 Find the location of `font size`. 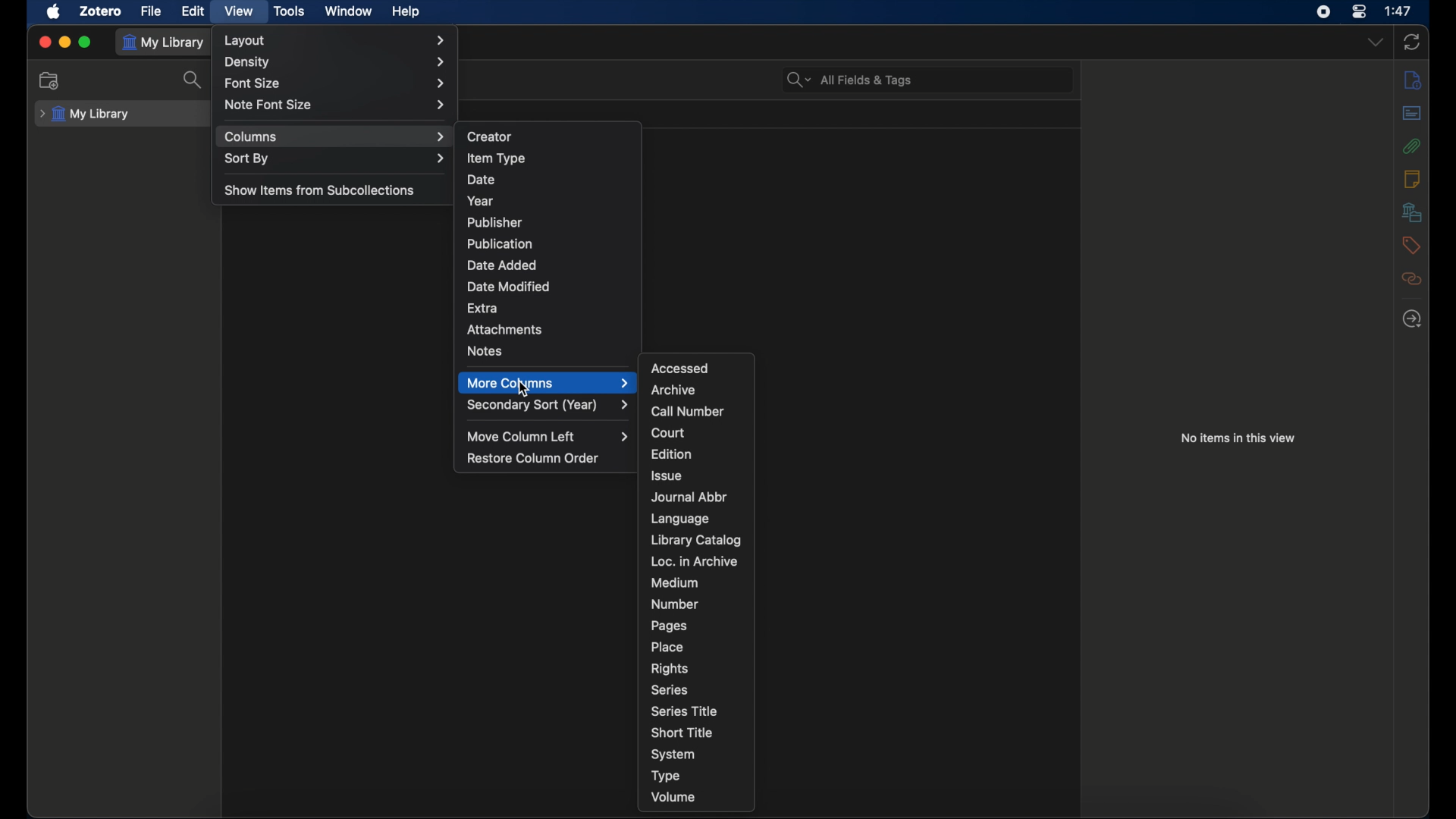

font size is located at coordinates (335, 84).